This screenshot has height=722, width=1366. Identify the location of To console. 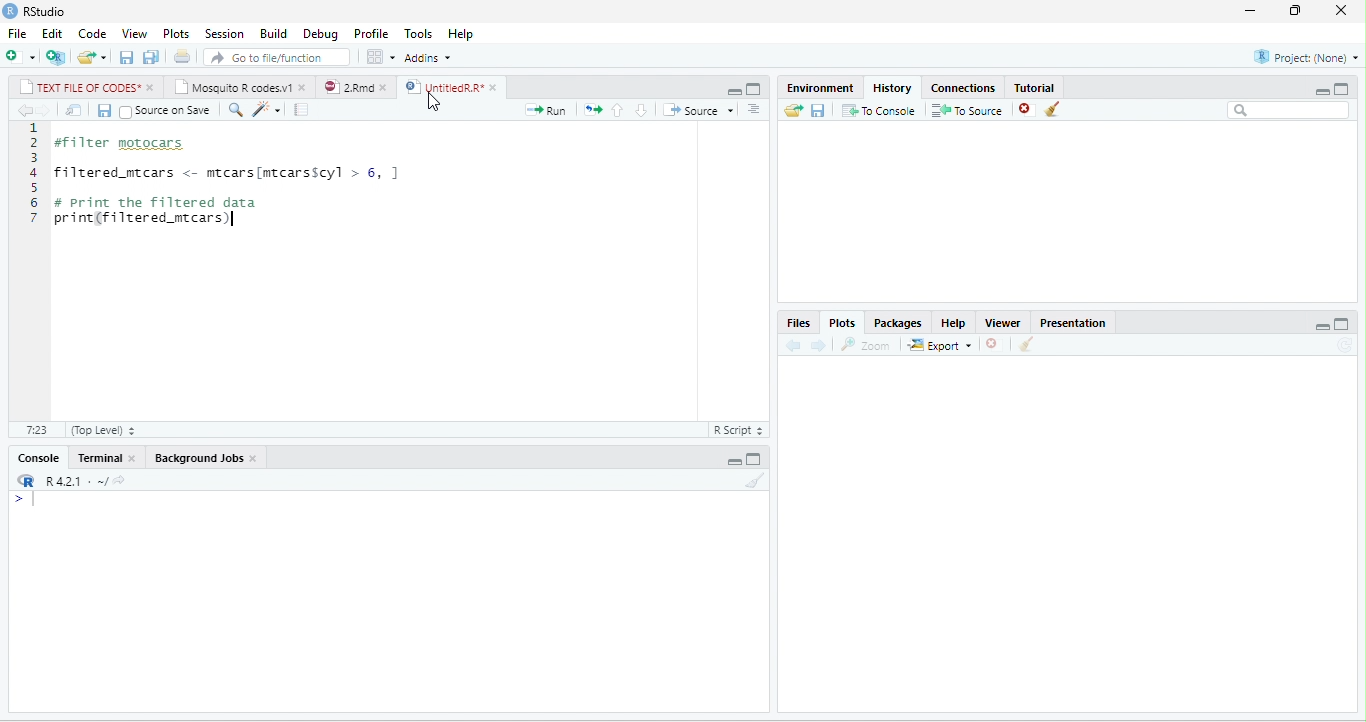
(879, 110).